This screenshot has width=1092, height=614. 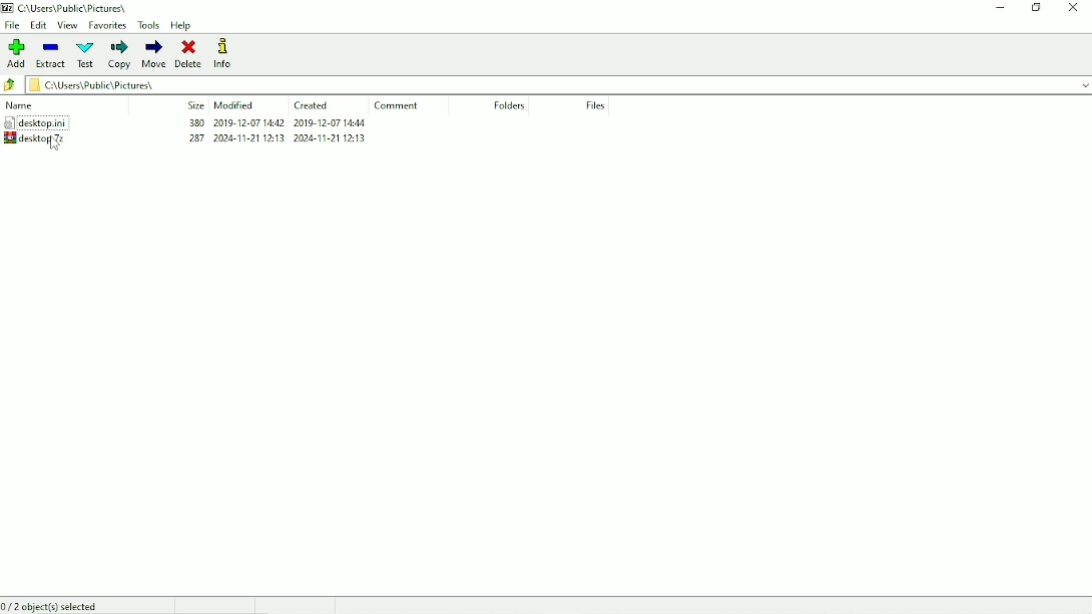 What do you see at coordinates (149, 26) in the screenshot?
I see `Tools` at bounding box center [149, 26].